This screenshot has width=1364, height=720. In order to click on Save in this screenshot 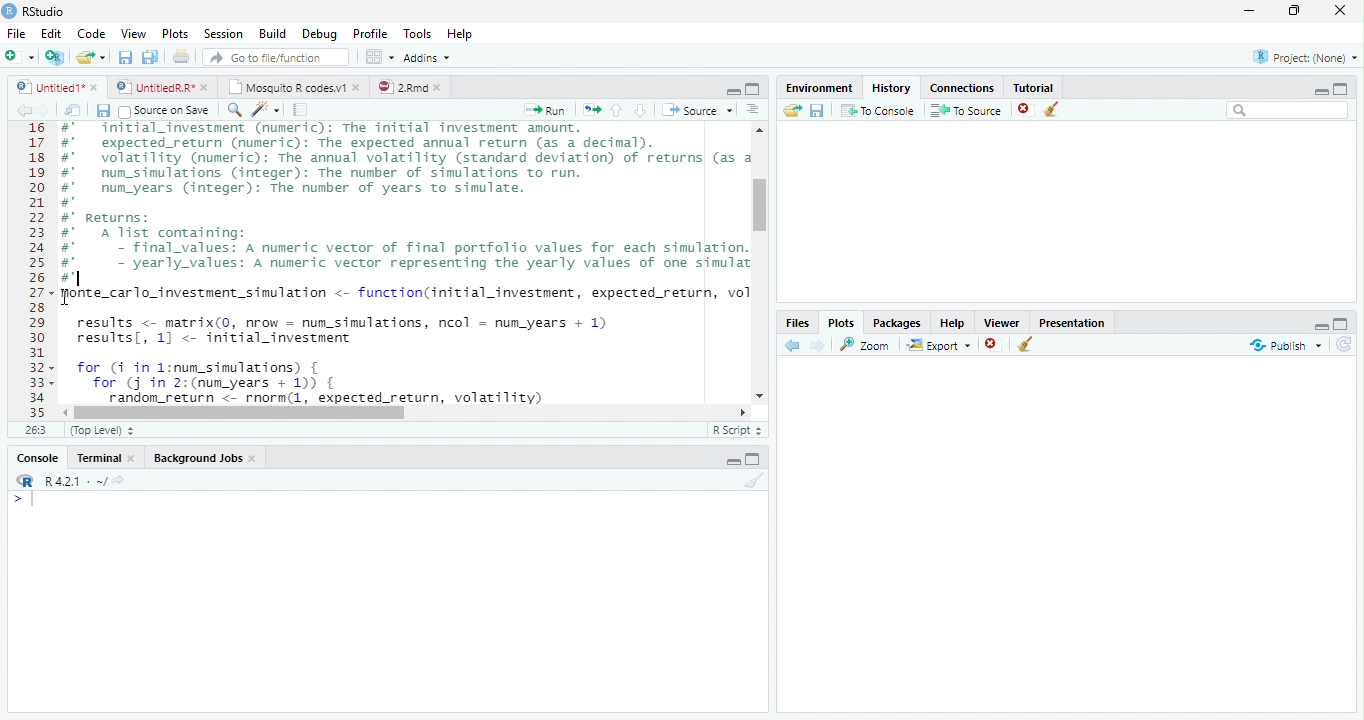, I will do `click(103, 110)`.